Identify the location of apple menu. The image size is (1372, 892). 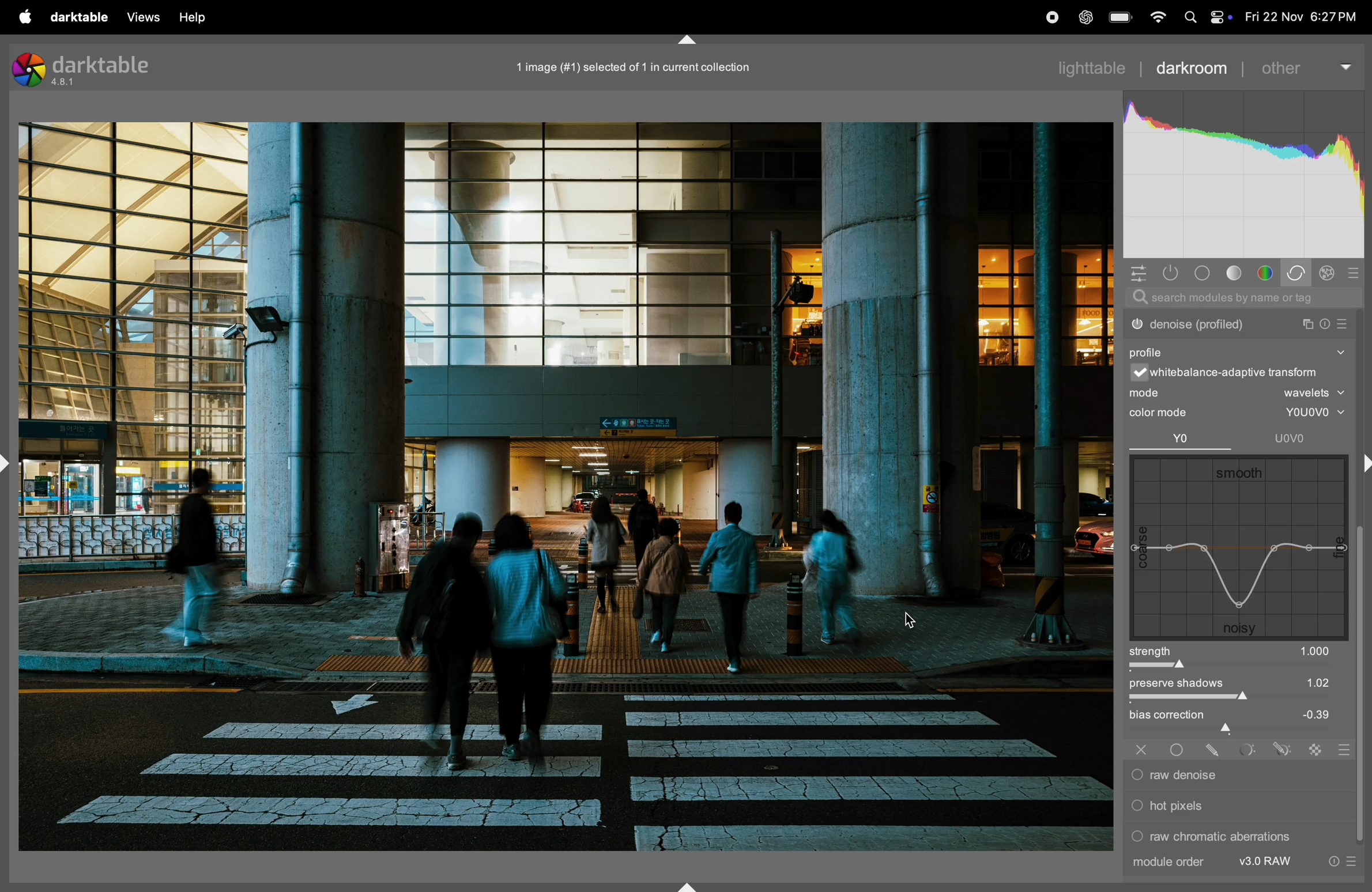
(25, 17).